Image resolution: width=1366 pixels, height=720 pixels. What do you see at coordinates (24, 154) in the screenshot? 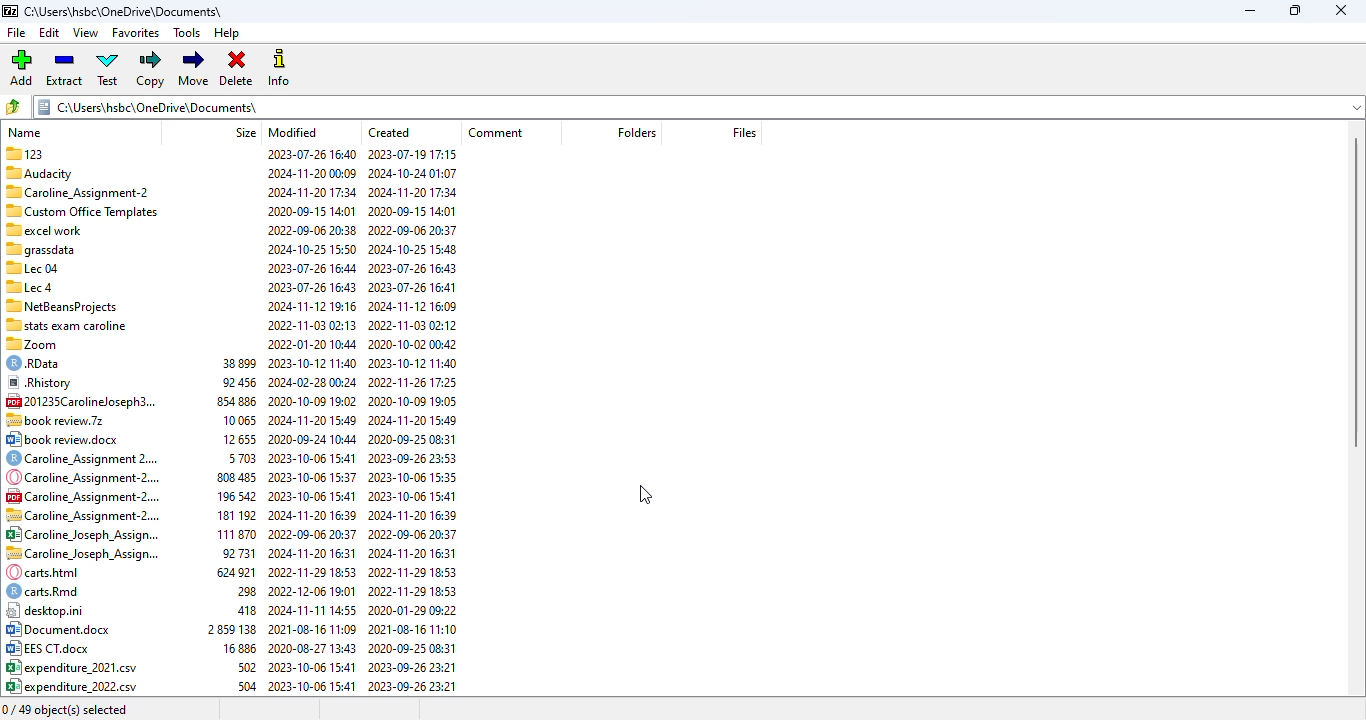
I see `123` at bounding box center [24, 154].